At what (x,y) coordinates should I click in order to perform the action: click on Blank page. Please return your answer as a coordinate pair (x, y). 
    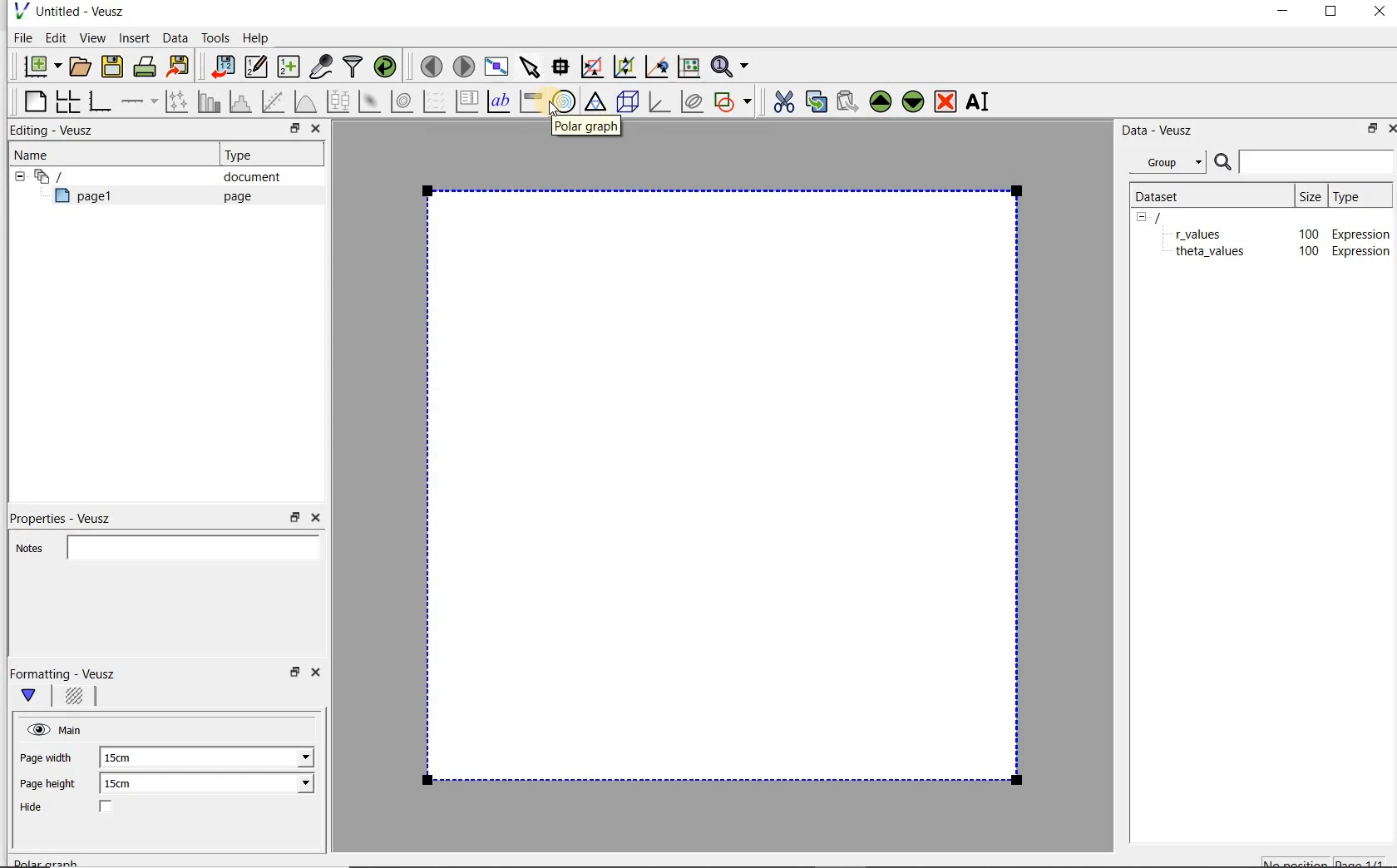
    Looking at the image, I should click on (723, 482).